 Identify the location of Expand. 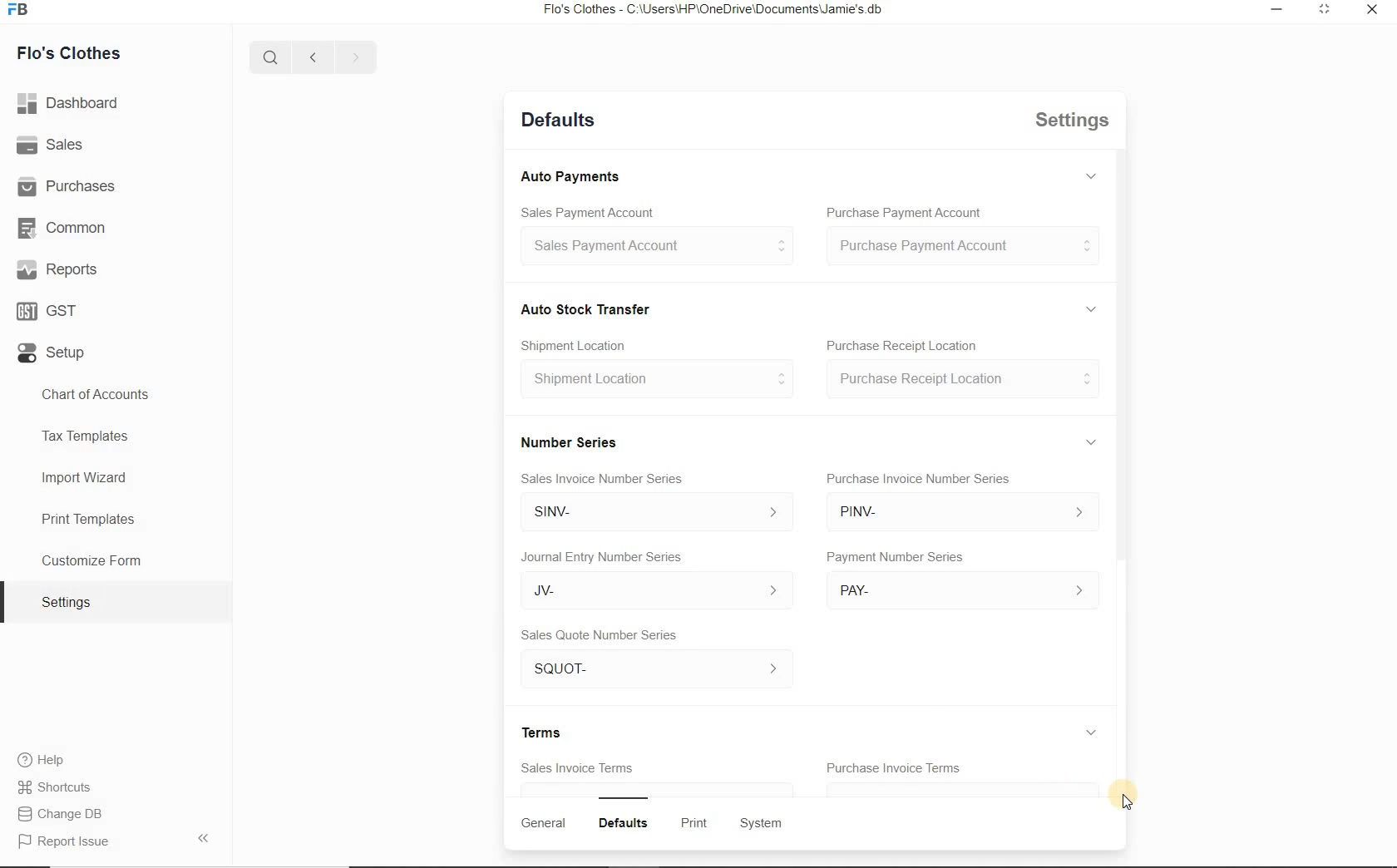
(1091, 377).